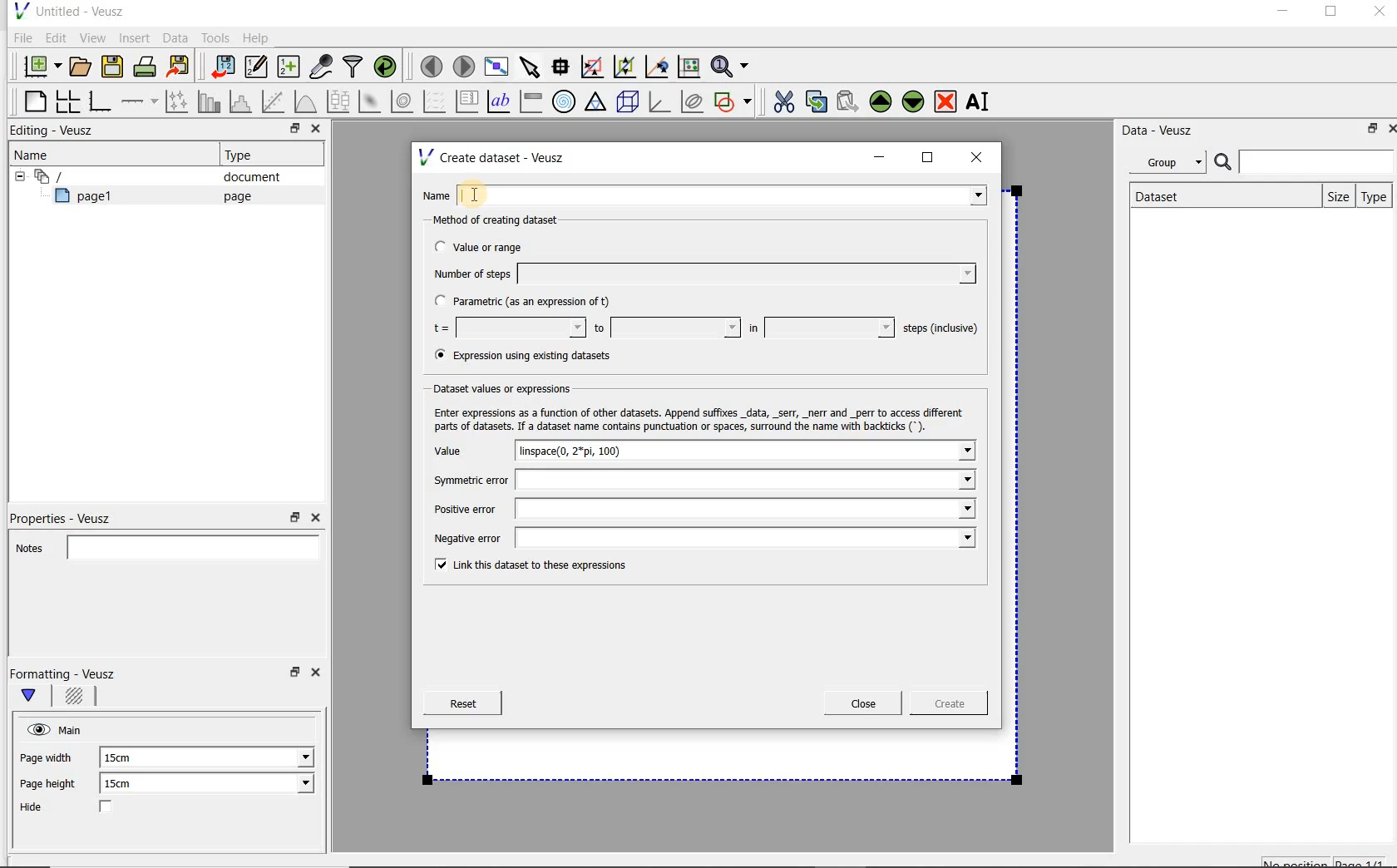  What do you see at coordinates (850, 101) in the screenshot?
I see `Paste widget from the clipboard` at bounding box center [850, 101].